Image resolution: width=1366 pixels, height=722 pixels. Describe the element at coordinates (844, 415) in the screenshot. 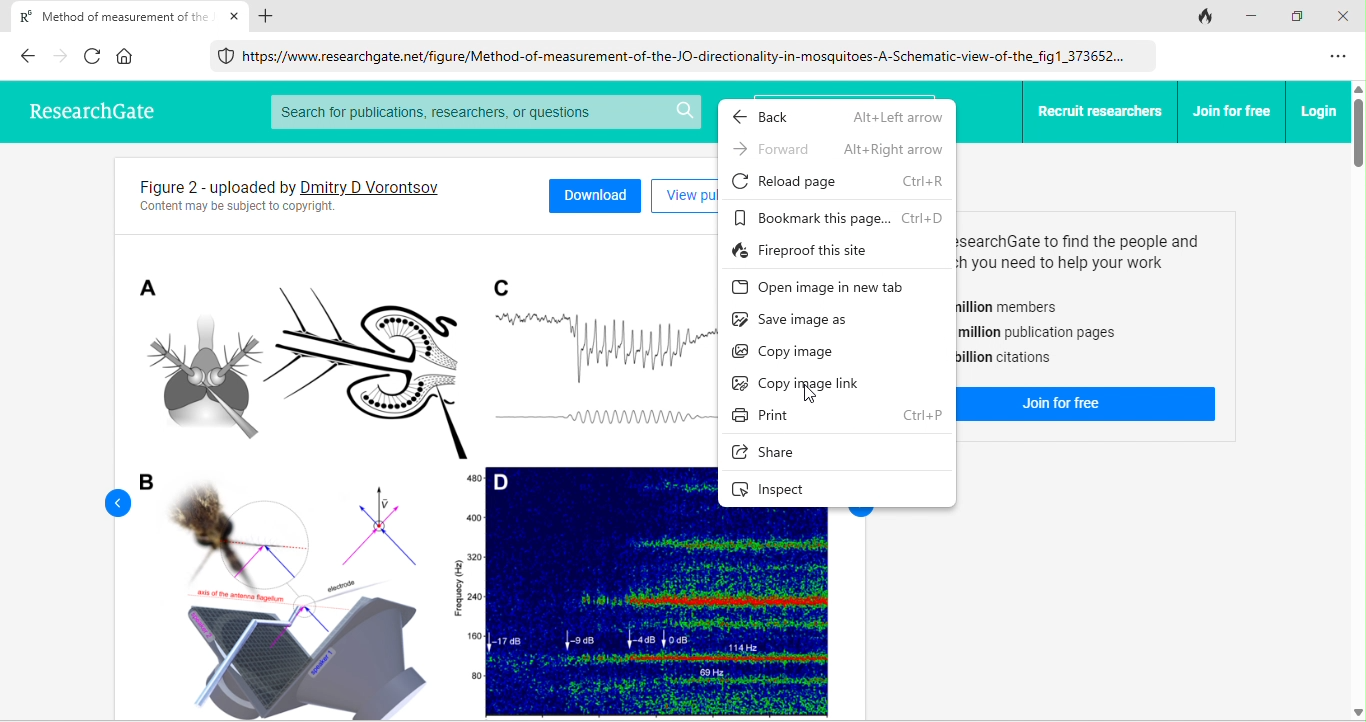

I see `print` at that location.